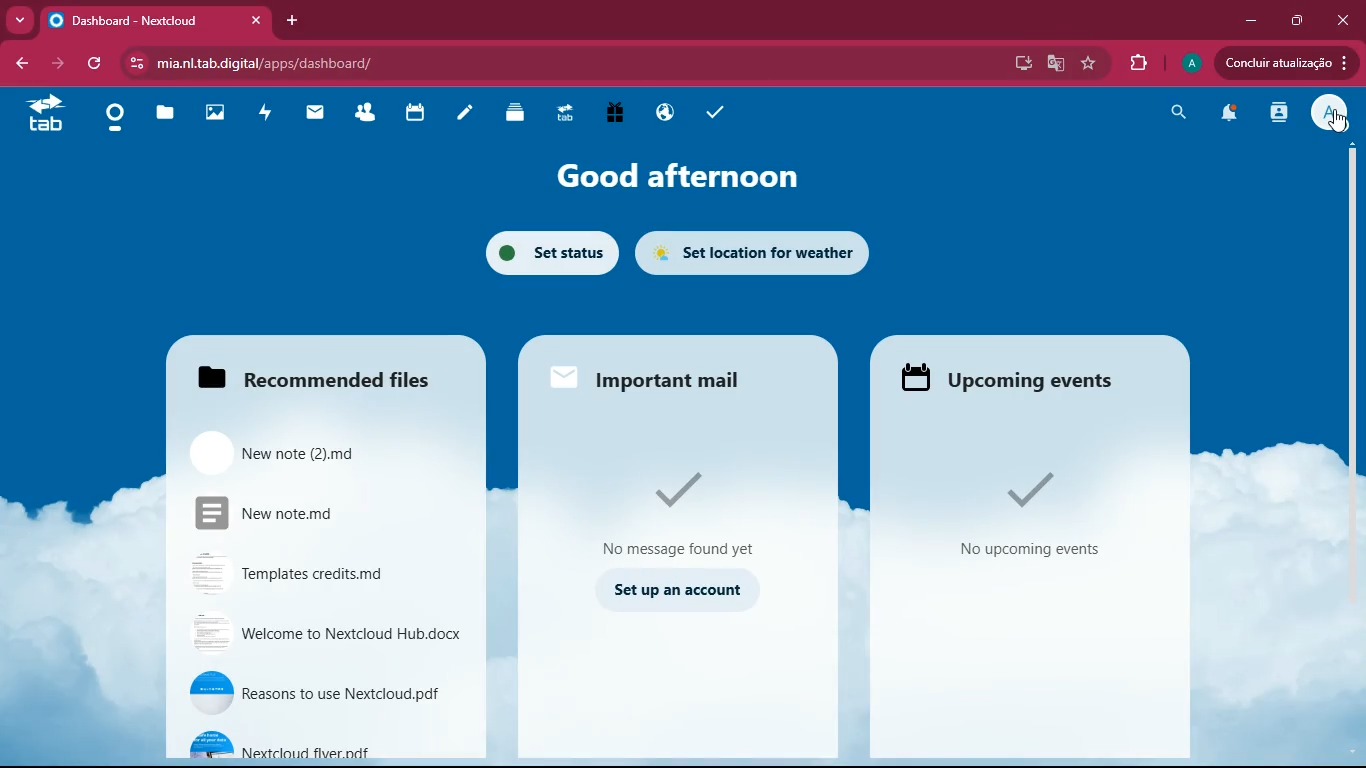 Image resolution: width=1366 pixels, height=768 pixels. I want to click on home, so click(111, 122).